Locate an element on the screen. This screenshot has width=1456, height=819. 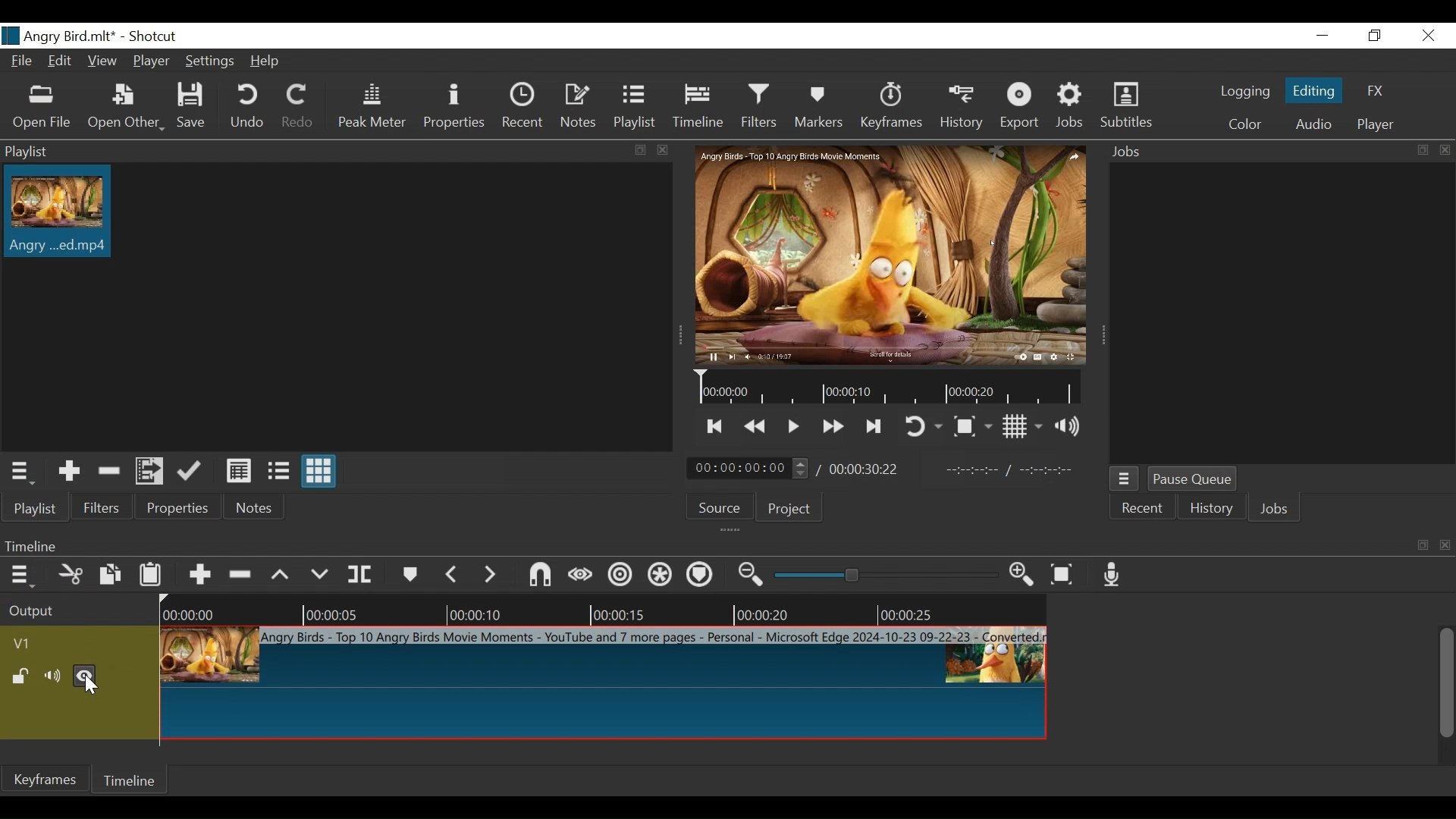
Notes is located at coordinates (256, 505).